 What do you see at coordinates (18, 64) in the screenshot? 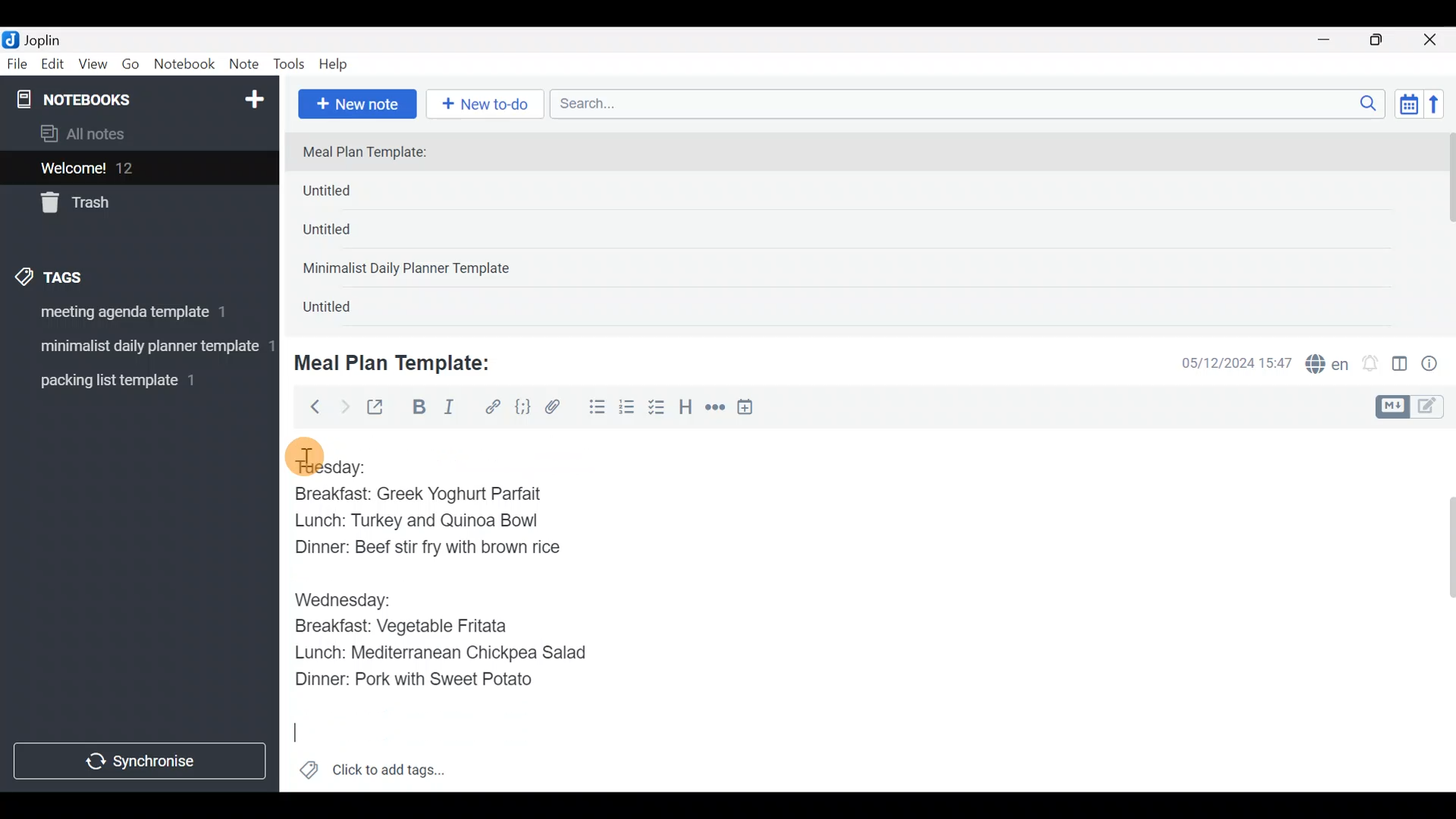
I see `File` at bounding box center [18, 64].